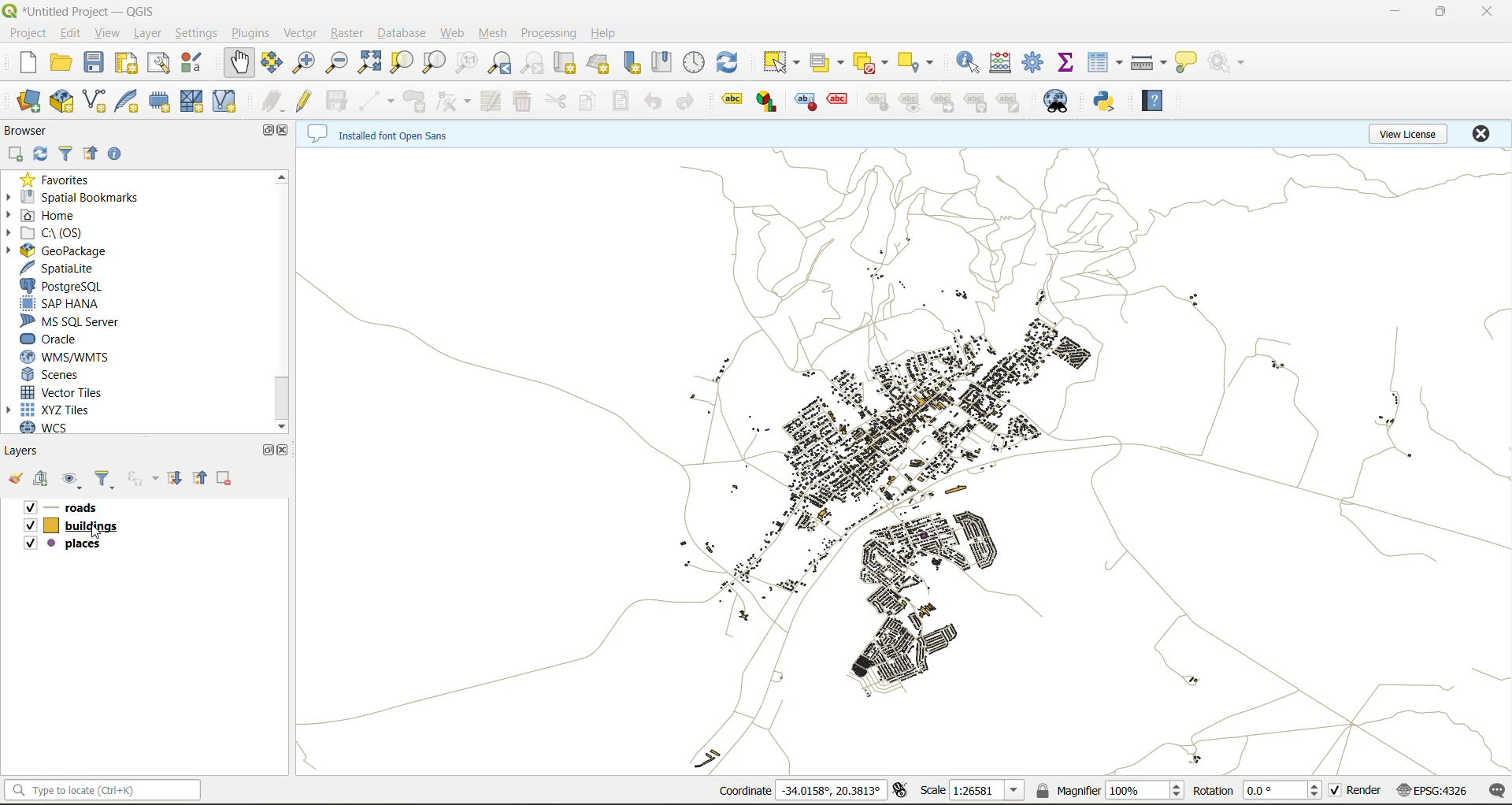 The image size is (1512, 805). Describe the element at coordinates (633, 61) in the screenshot. I see `new spatial bookmark` at that location.